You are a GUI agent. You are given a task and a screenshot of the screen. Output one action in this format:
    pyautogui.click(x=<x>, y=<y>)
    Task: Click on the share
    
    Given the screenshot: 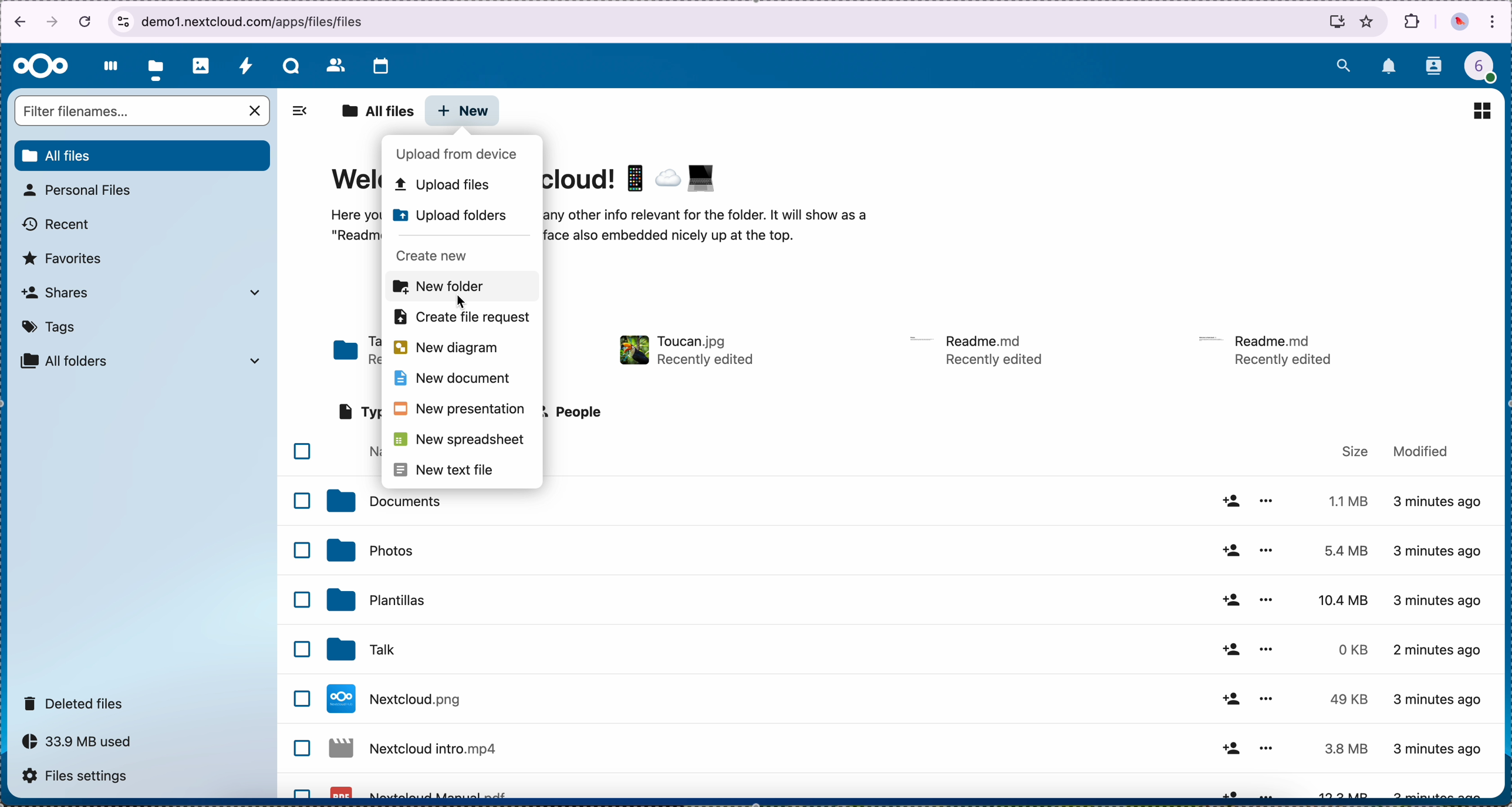 What is the action you would take?
    pyautogui.click(x=1229, y=501)
    